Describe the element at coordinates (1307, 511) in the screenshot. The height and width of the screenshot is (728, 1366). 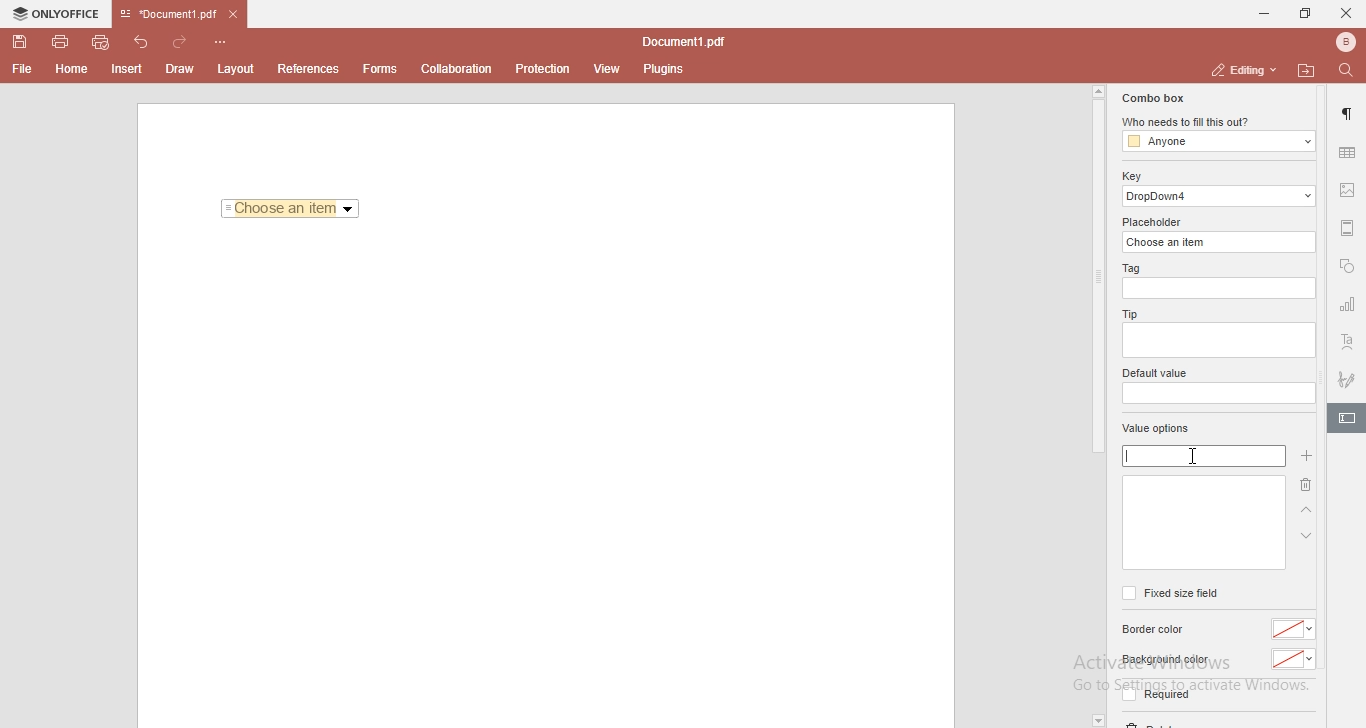
I see `arrow up` at that location.